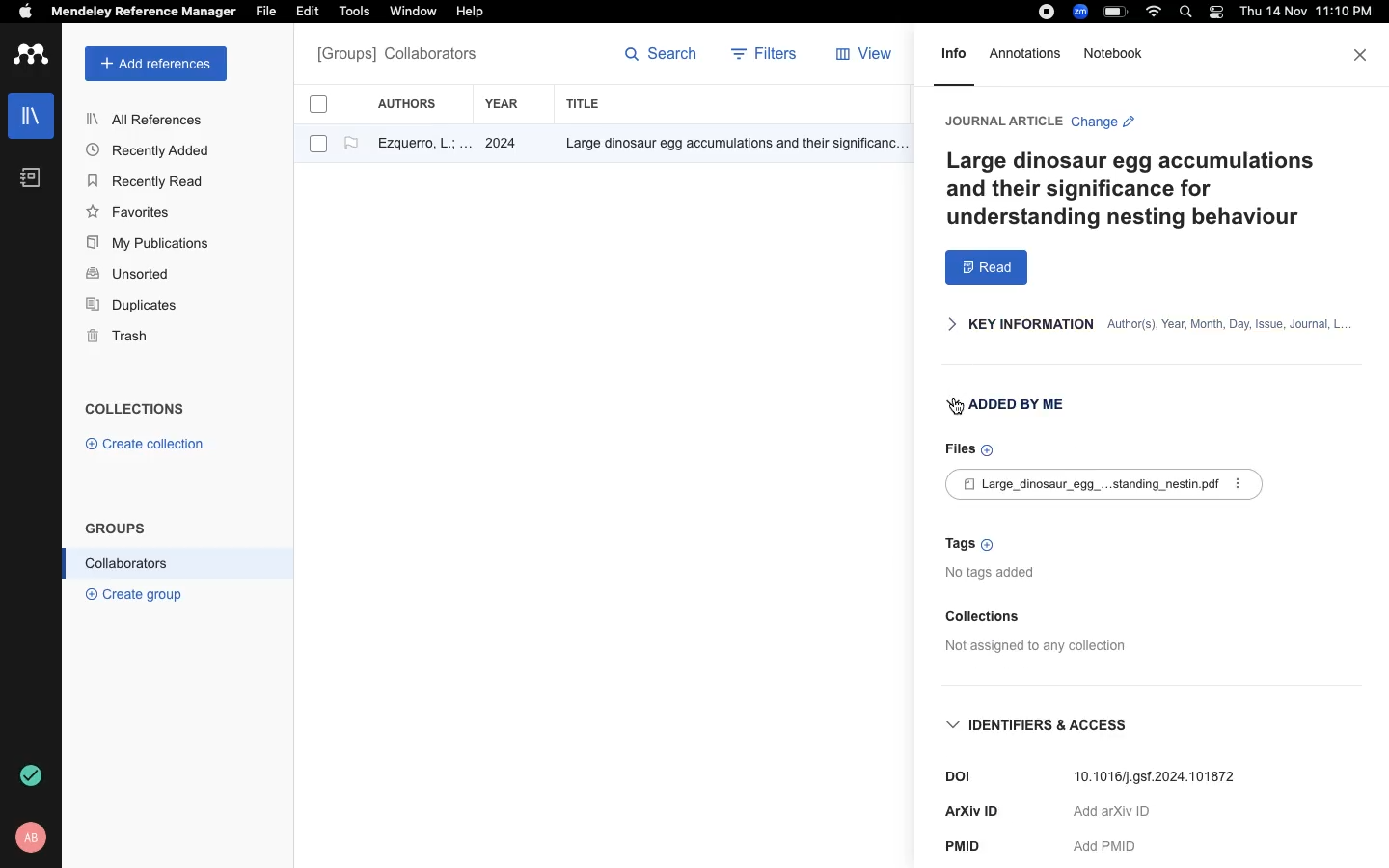  What do you see at coordinates (34, 837) in the screenshot?
I see `profile` at bounding box center [34, 837].